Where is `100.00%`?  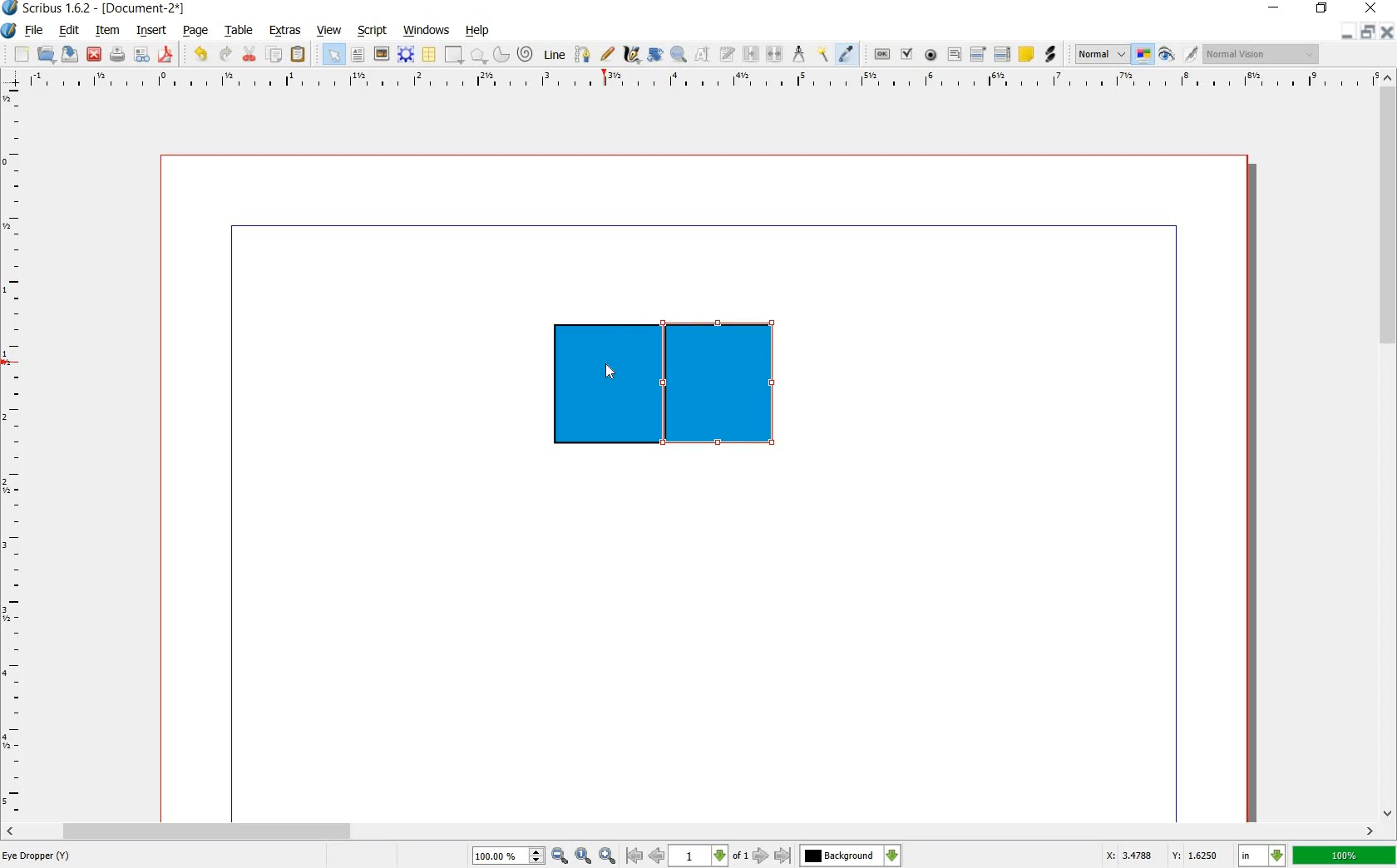 100.00% is located at coordinates (507, 855).